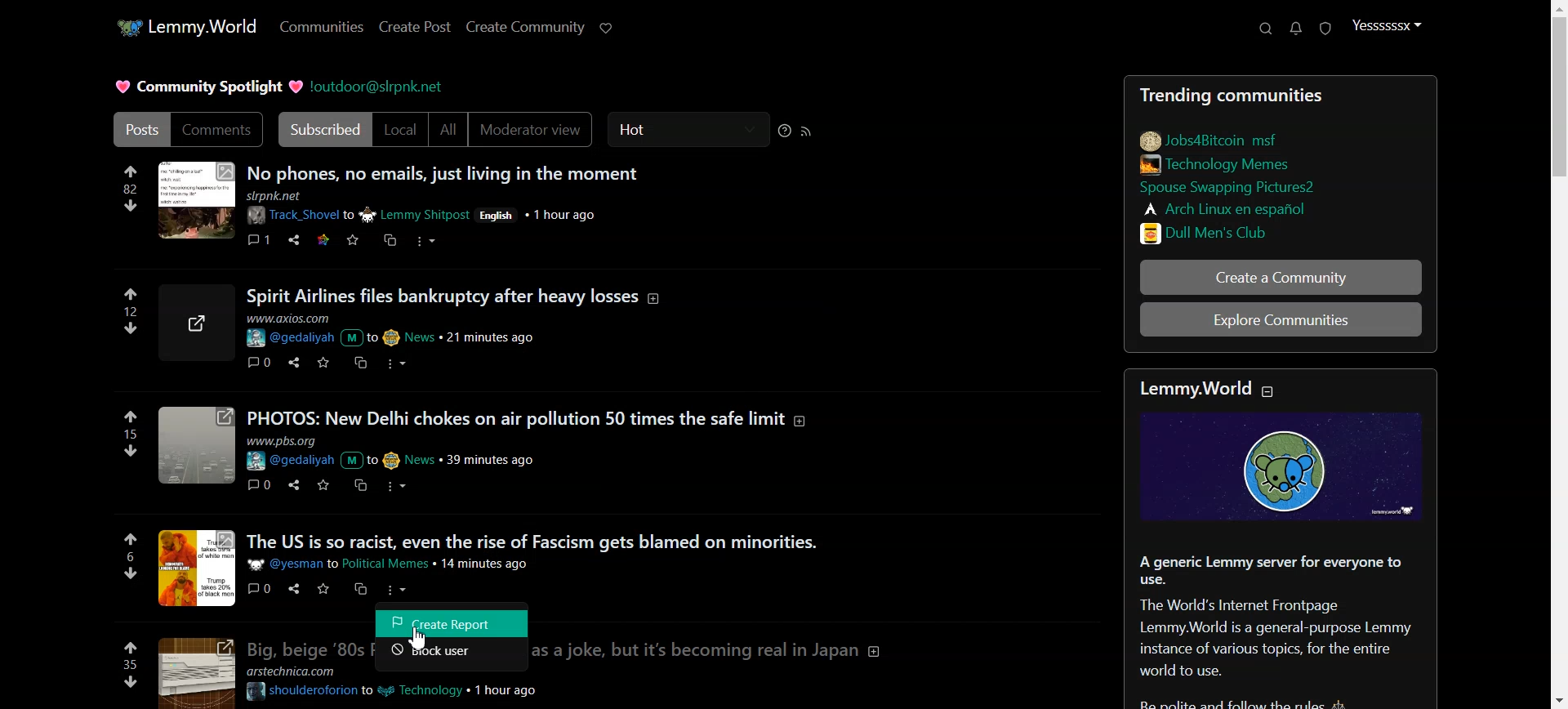 The height and width of the screenshot is (709, 1568). I want to click on comments, so click(256, 362).